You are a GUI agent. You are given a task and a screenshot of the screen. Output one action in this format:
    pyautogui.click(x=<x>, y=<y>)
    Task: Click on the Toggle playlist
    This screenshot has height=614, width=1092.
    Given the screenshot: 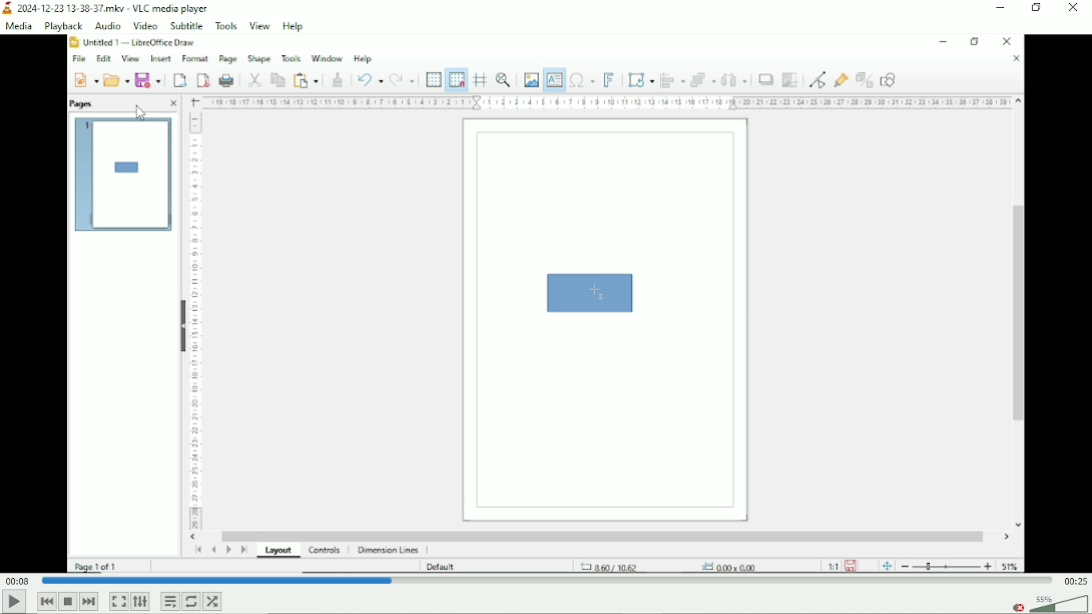 What is the action you would take?
    pyautogui.click(x=169, y=600)
    